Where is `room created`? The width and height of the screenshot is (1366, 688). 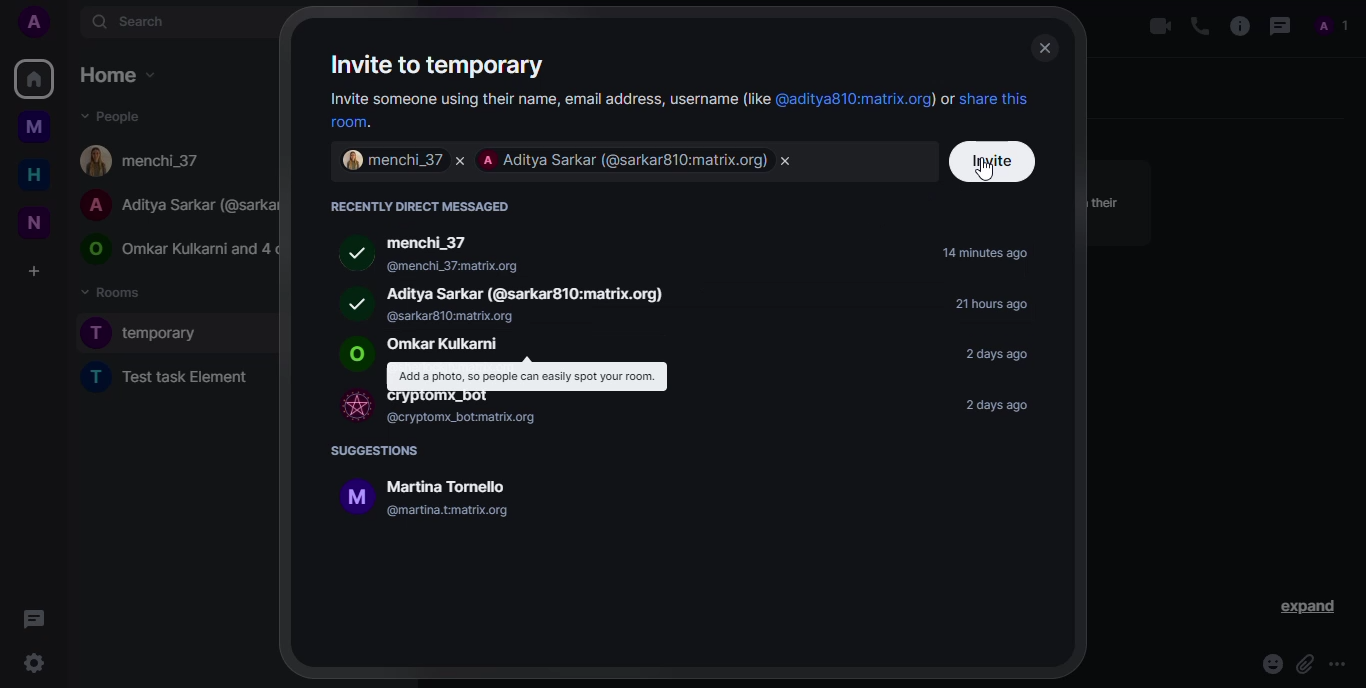 room created is located at coordinates (151, 333).